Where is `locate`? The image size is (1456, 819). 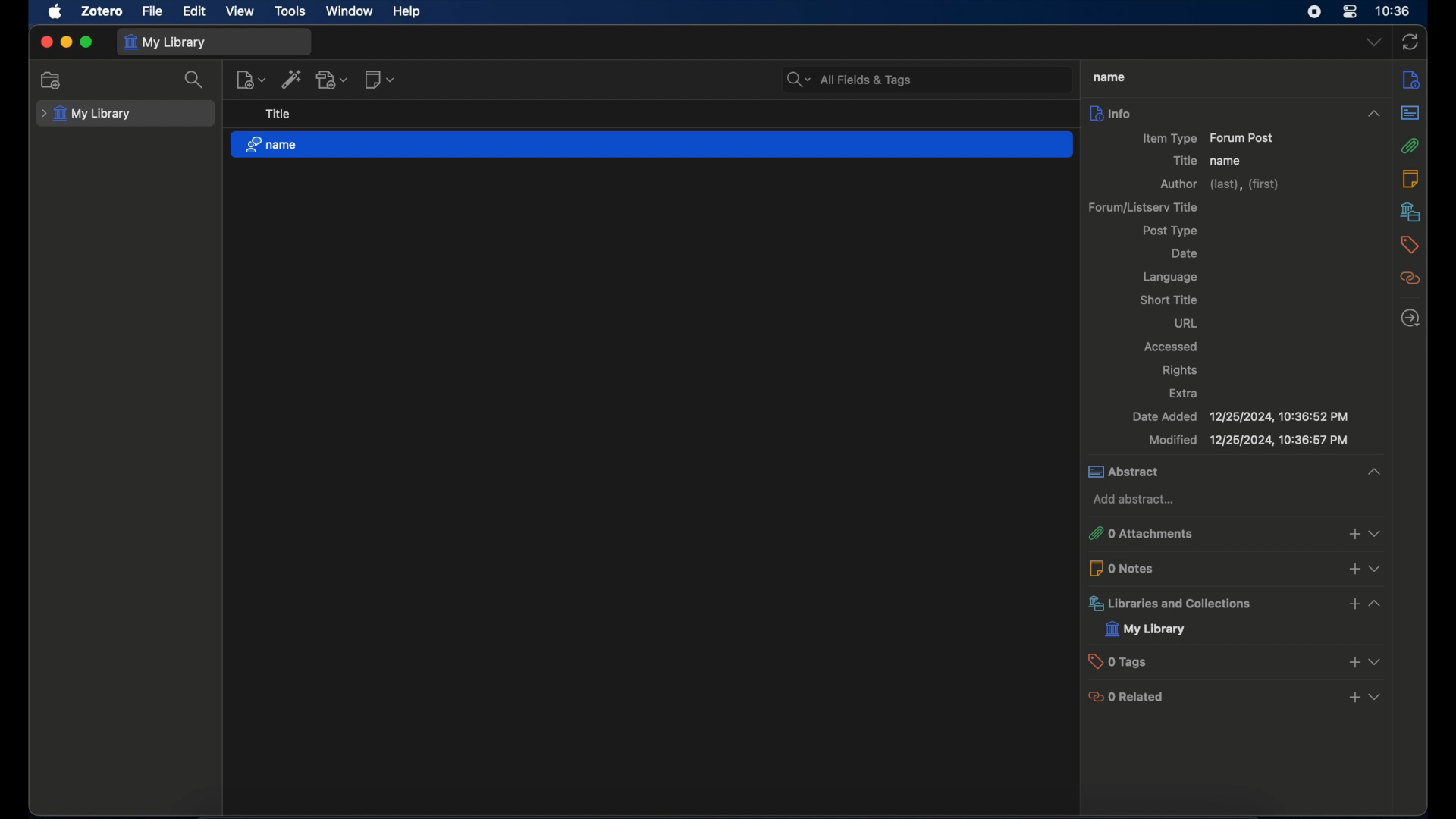 locate is located at coordinates (1411, 318).